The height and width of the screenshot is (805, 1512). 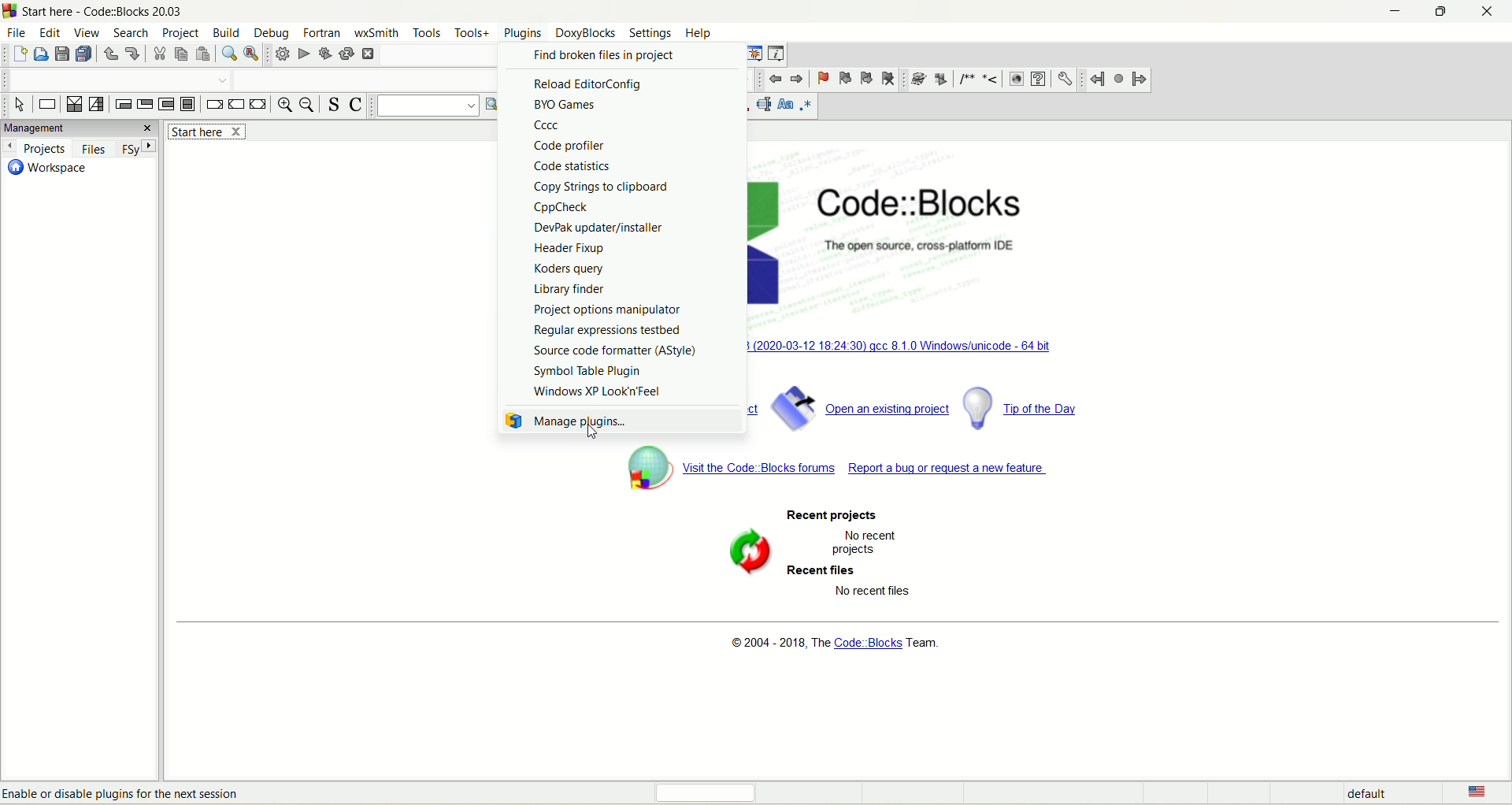 What do you see at coordinates (965, 80) in the screenshot?
I see `Insert comment block` at bounding box center [965, 80].